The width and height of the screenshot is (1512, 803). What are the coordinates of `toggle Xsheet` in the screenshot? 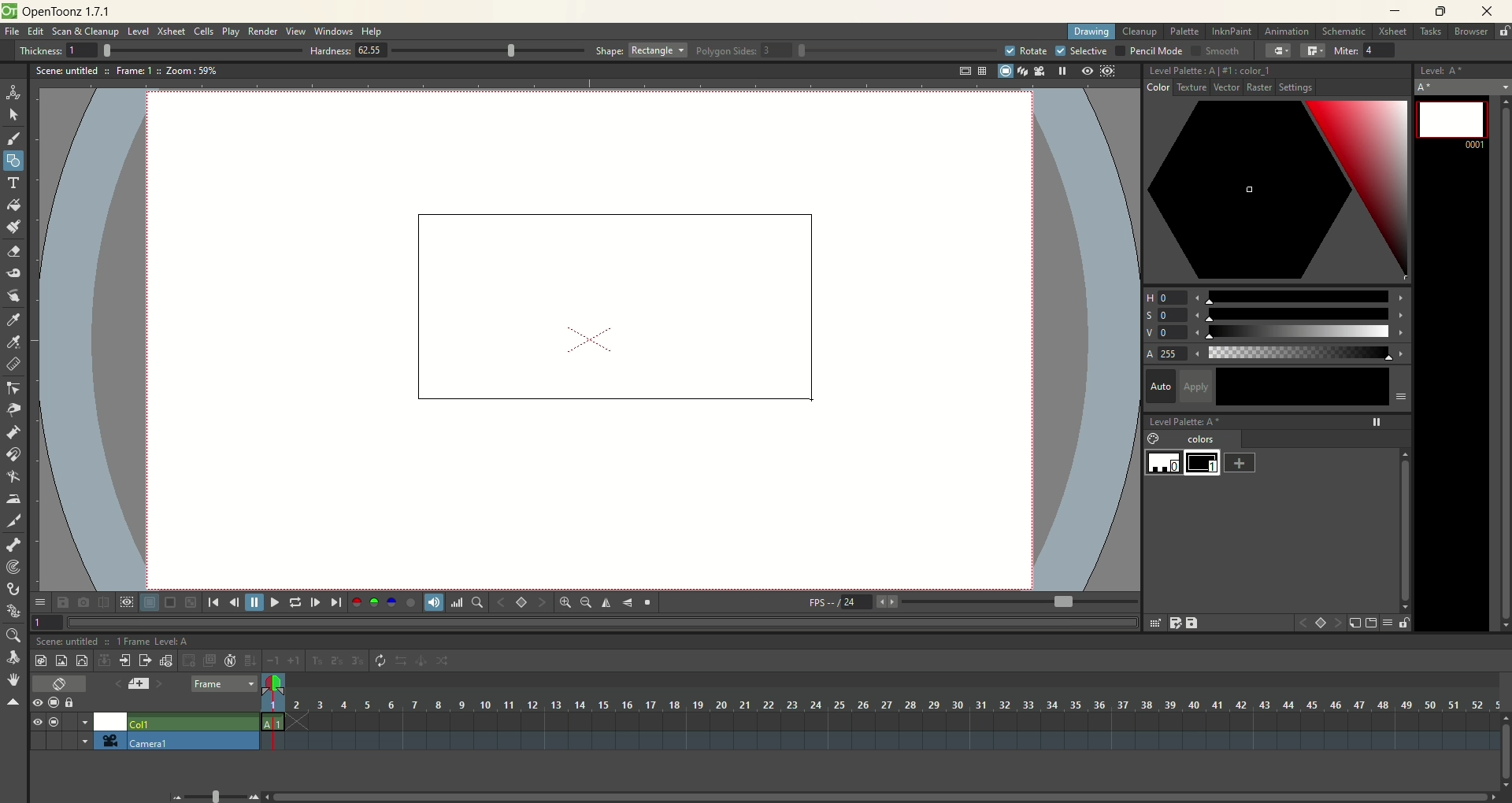 It's located at (61, 685).